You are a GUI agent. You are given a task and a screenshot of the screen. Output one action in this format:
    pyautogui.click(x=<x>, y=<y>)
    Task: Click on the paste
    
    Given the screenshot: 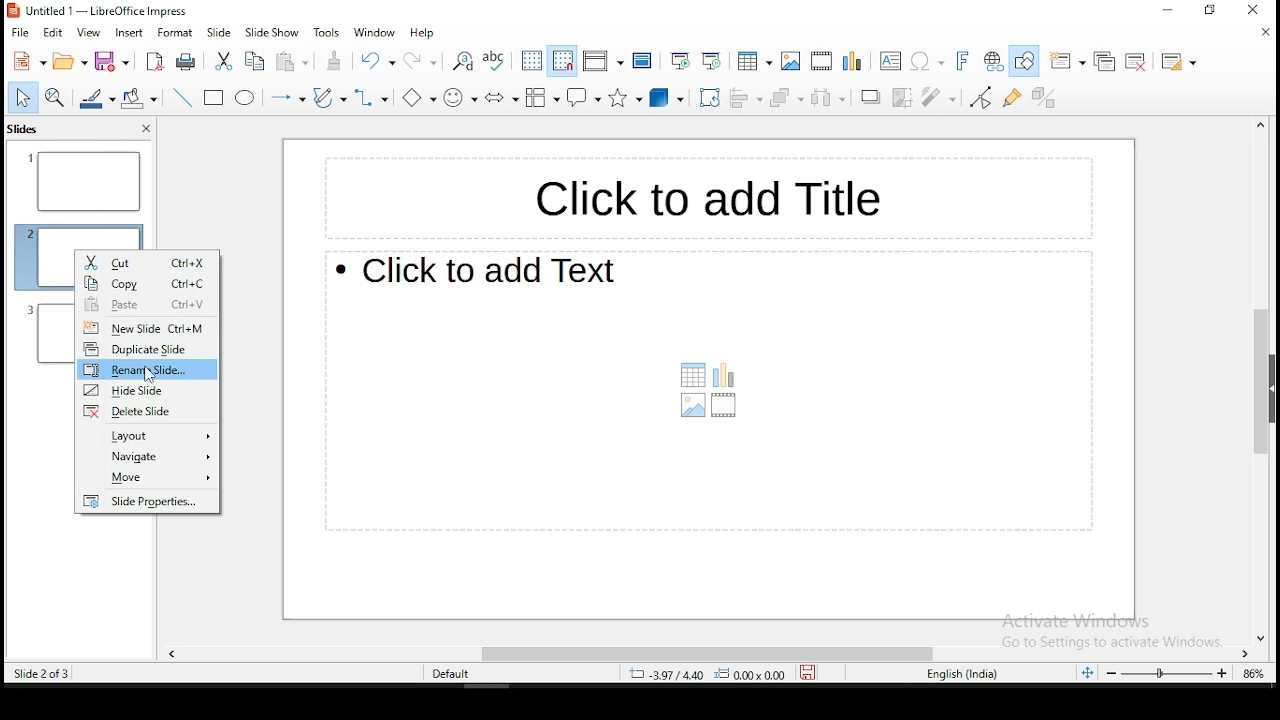 What is the action you would take?
    pyautogui.click(x=292, y=63)
    